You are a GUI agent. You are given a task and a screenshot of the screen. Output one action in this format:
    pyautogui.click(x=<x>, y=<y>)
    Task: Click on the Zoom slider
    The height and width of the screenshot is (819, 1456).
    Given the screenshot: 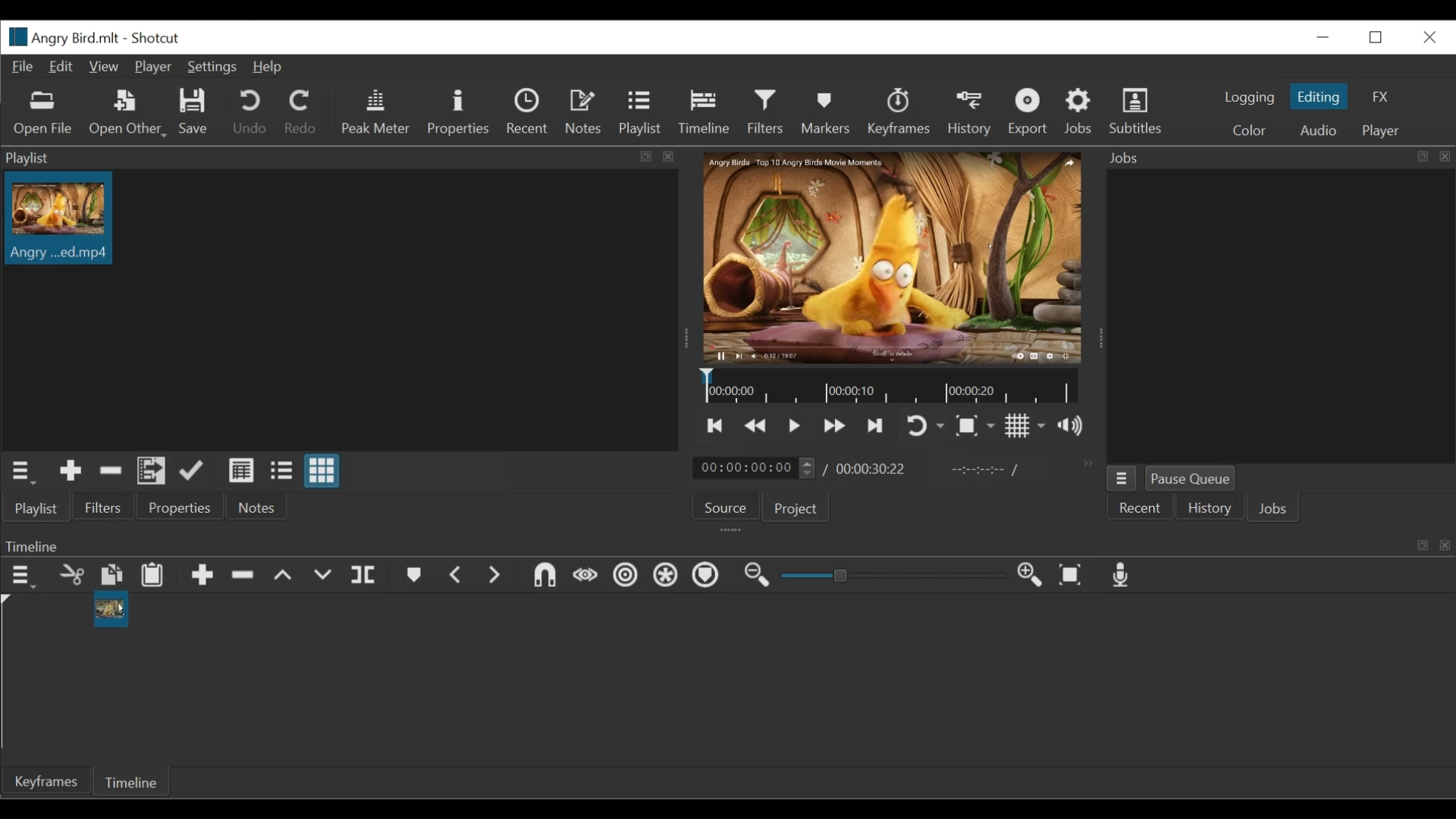 What is the action you would take?
    pyautogui.click(x=890, y=576)
    